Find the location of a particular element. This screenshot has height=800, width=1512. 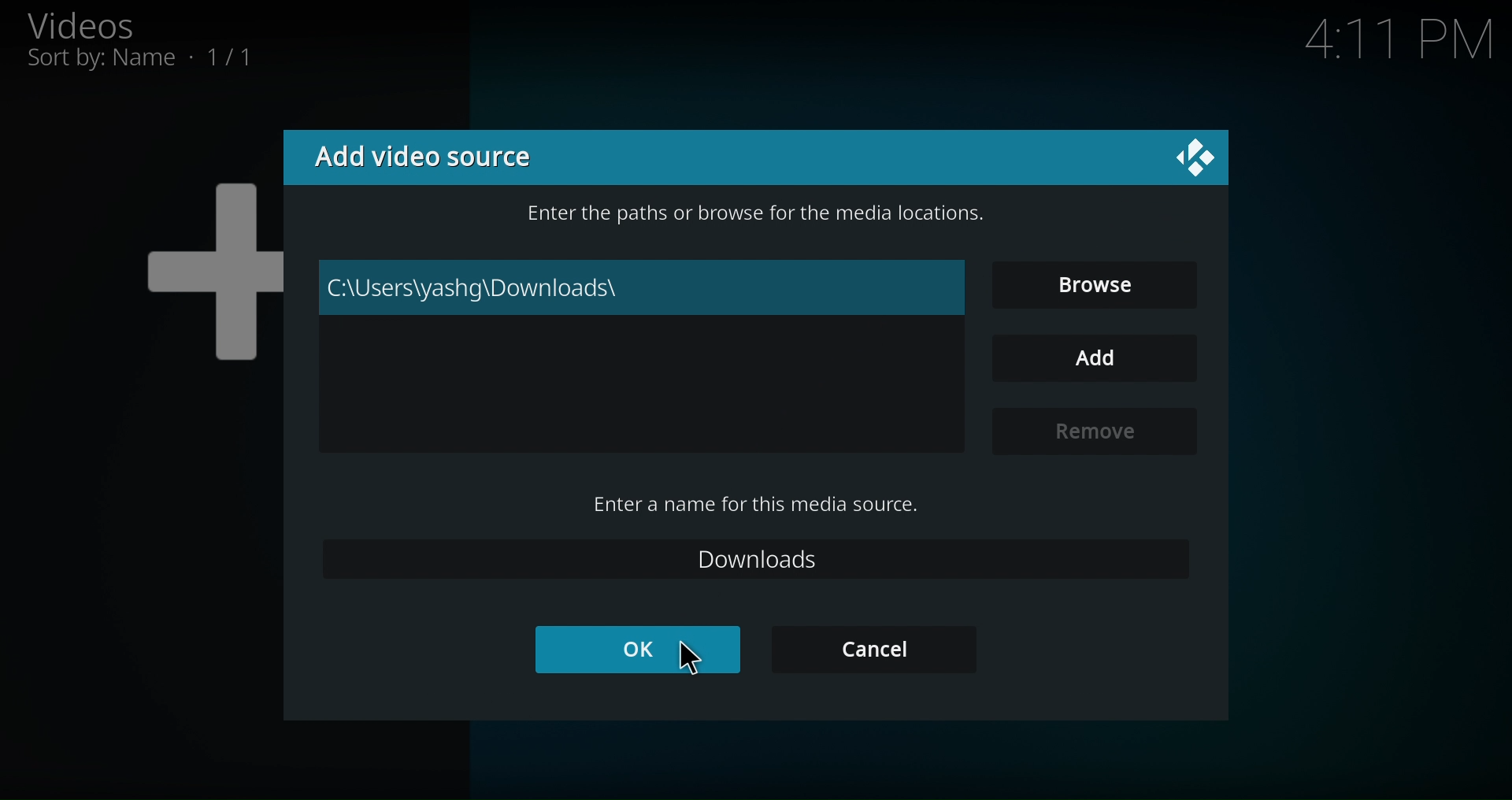

Text is located at coordinates (759, 559).